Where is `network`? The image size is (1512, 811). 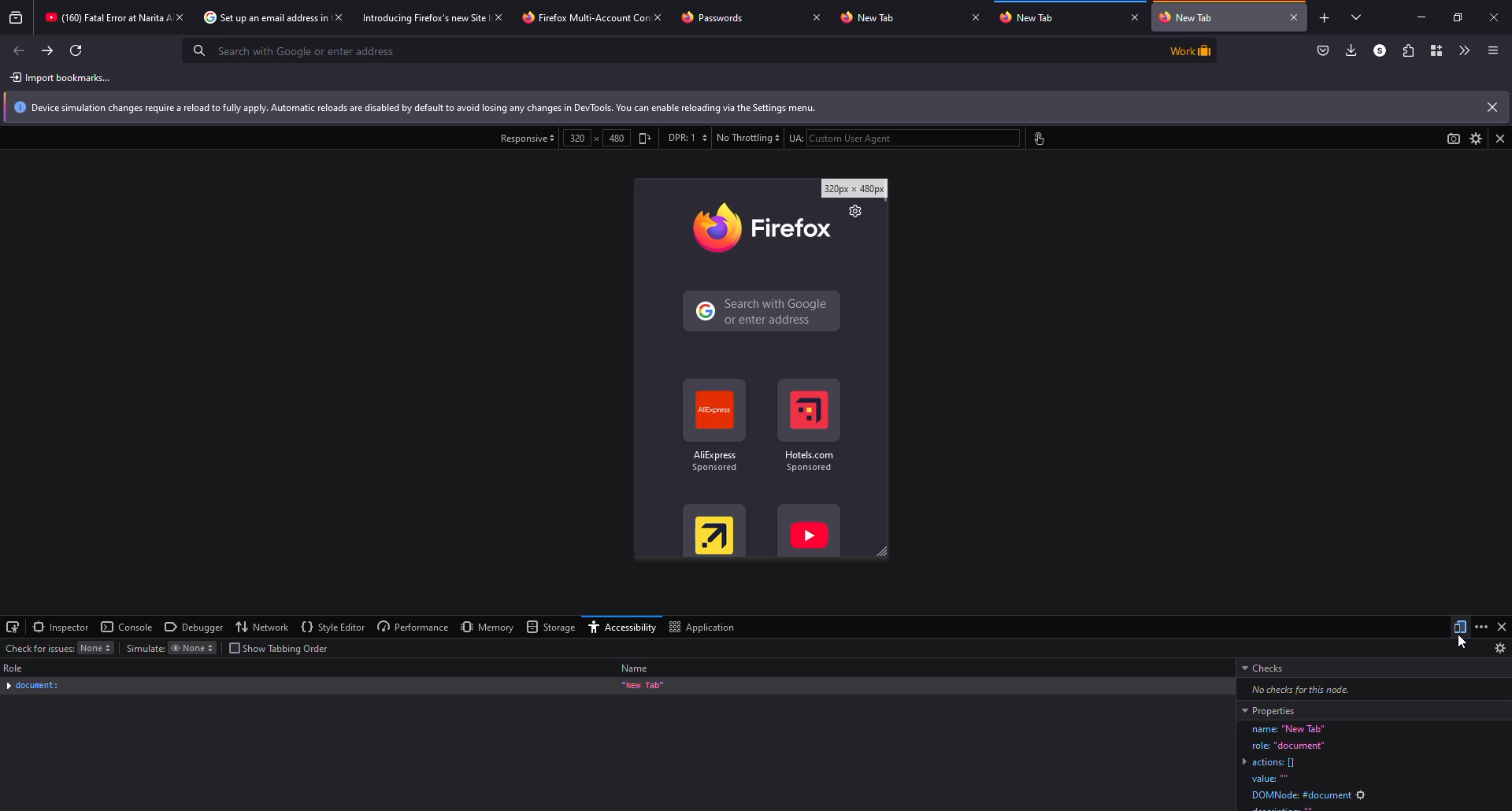
network is located at coordinates (262, 627).